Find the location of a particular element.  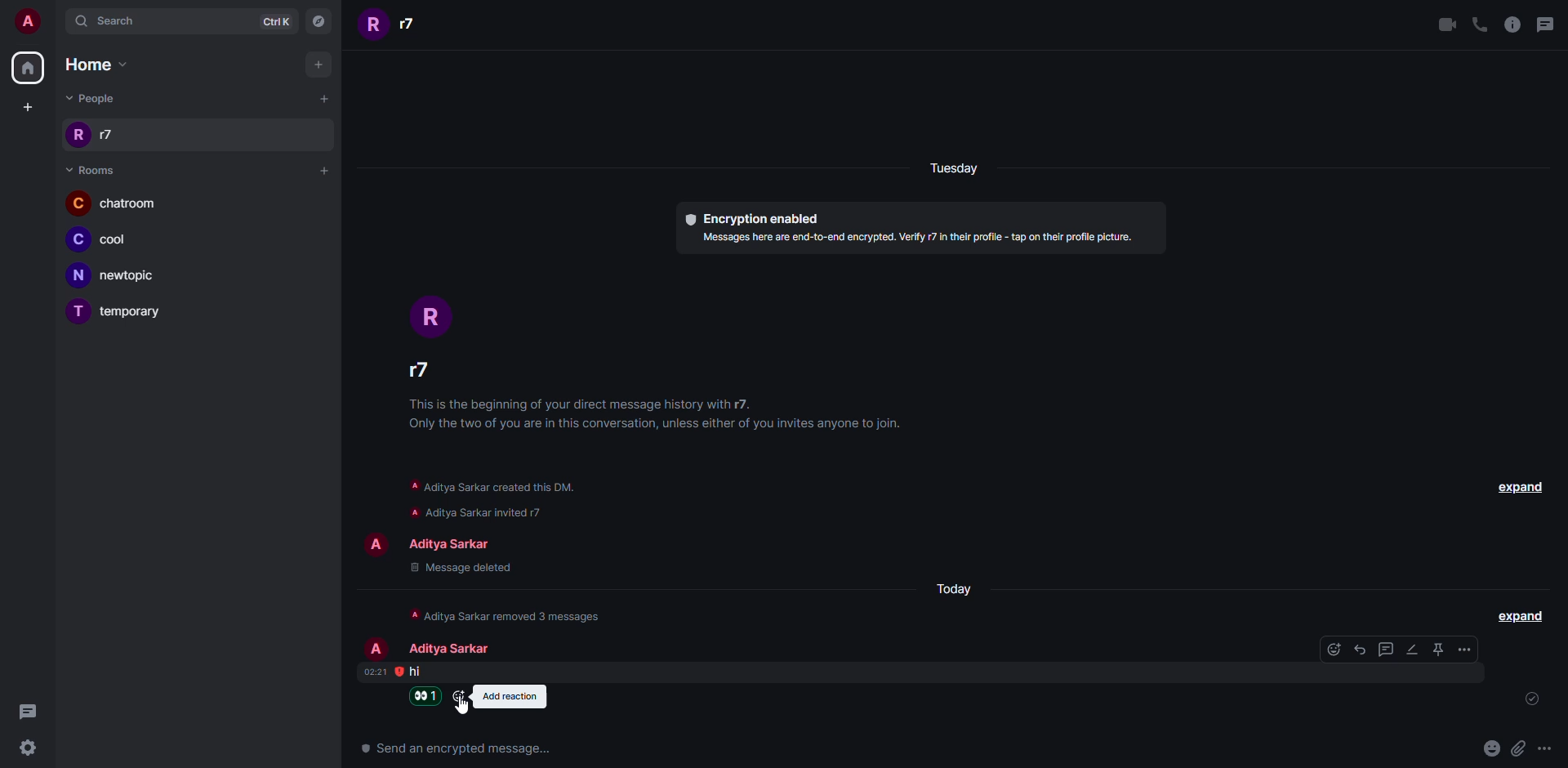

people is located at coordinates (394, 27).